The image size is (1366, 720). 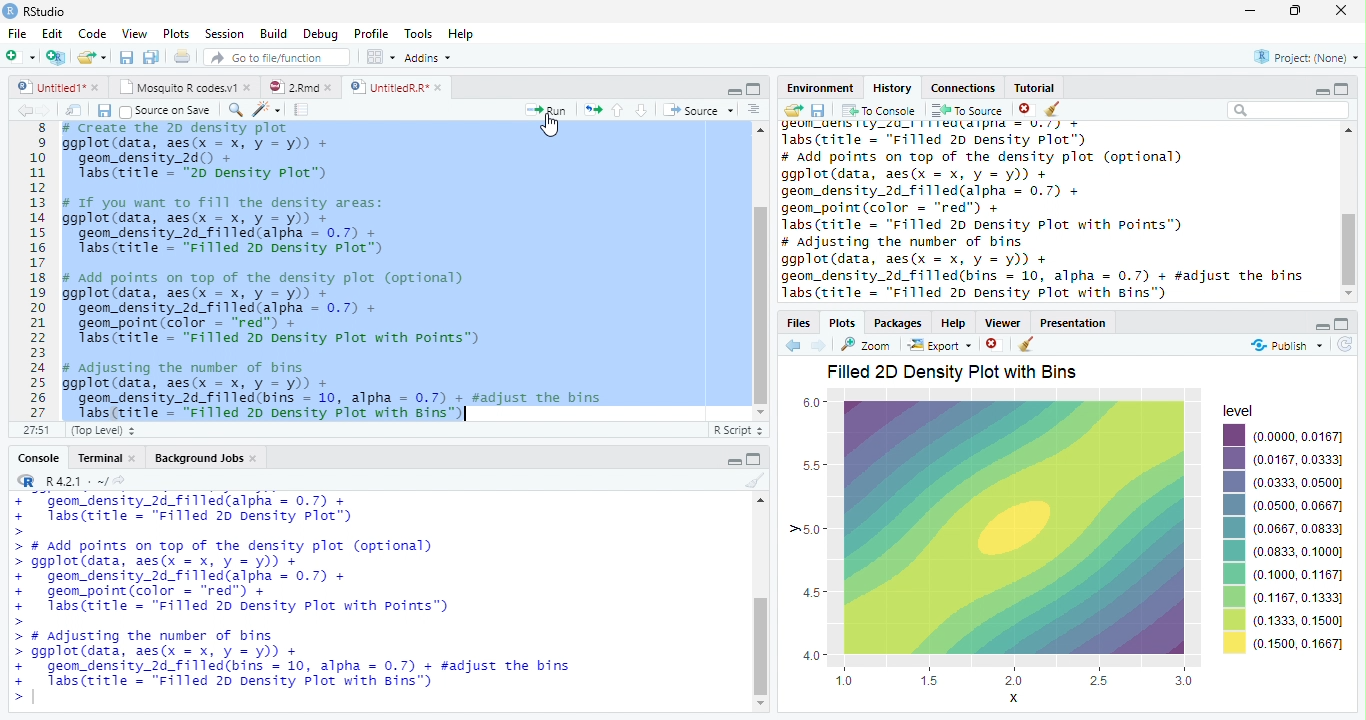 I want to click on Profile, so click(x=372, y=34).